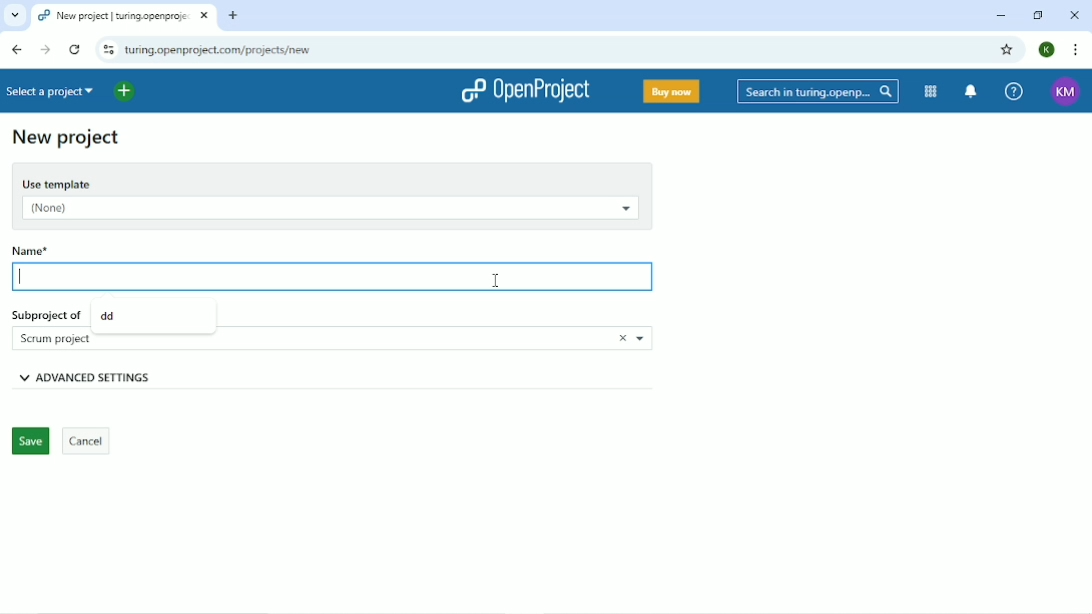 The height and width of the screenshot is (614, 1092). Describe the element at coordinates (24, 281) in the screenshot. I see `typing cursor` at that location.